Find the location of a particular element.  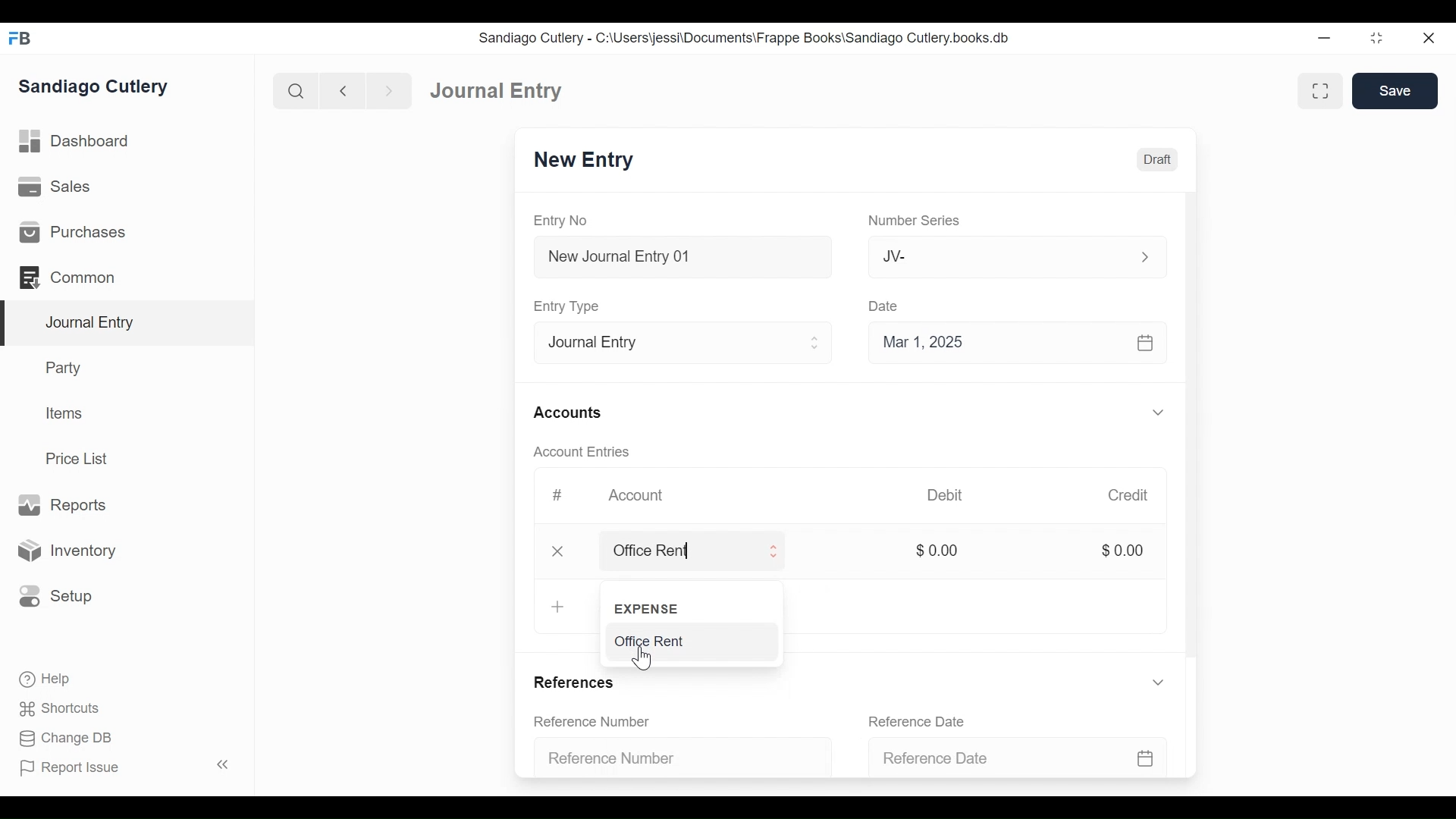

Draft is located at coordinates (1155, 159).